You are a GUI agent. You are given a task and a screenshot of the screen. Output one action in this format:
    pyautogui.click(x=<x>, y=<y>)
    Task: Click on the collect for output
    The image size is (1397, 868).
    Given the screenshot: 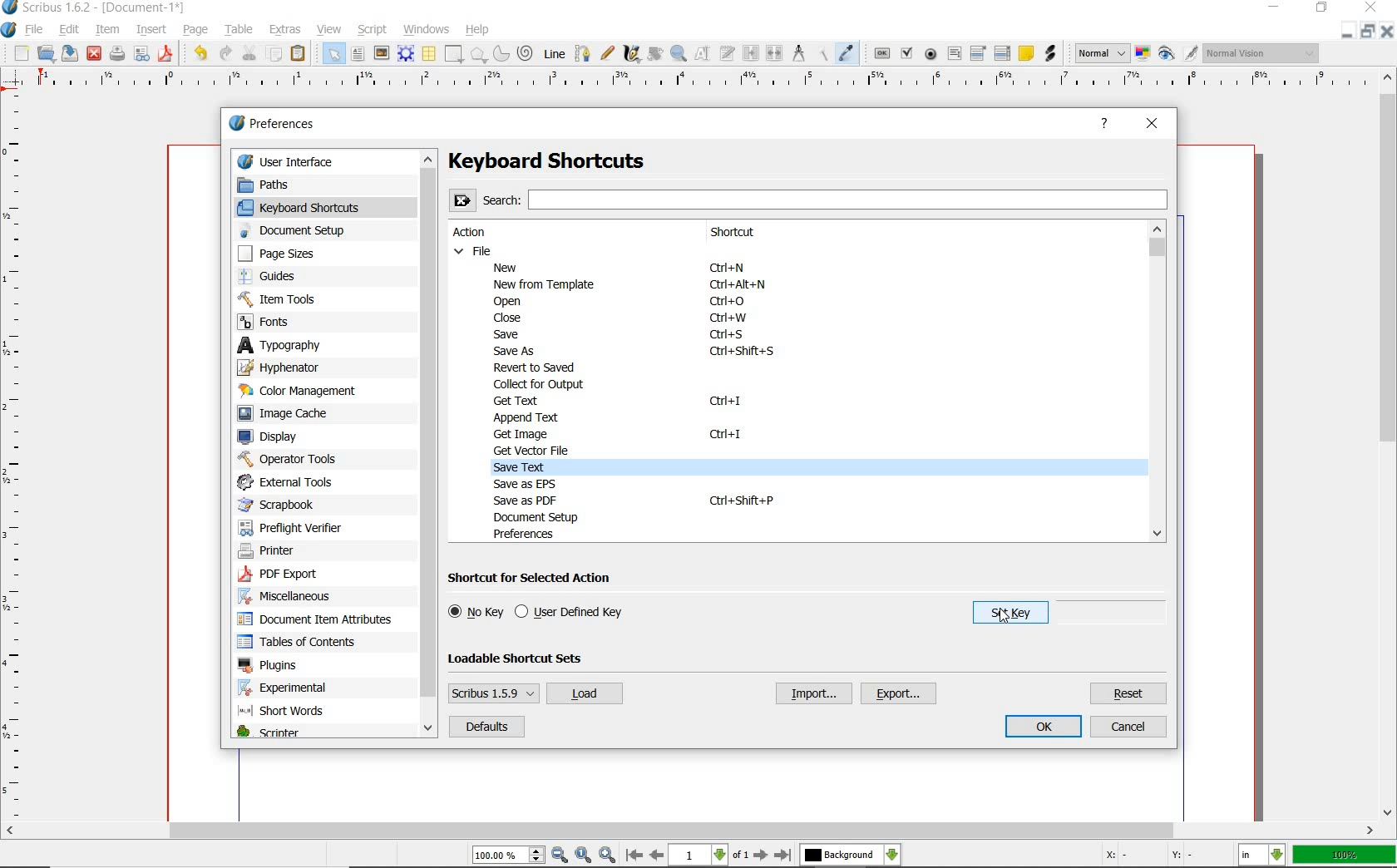 What is the action you would take?
    pyautogui.click(x=542, y=384)
    